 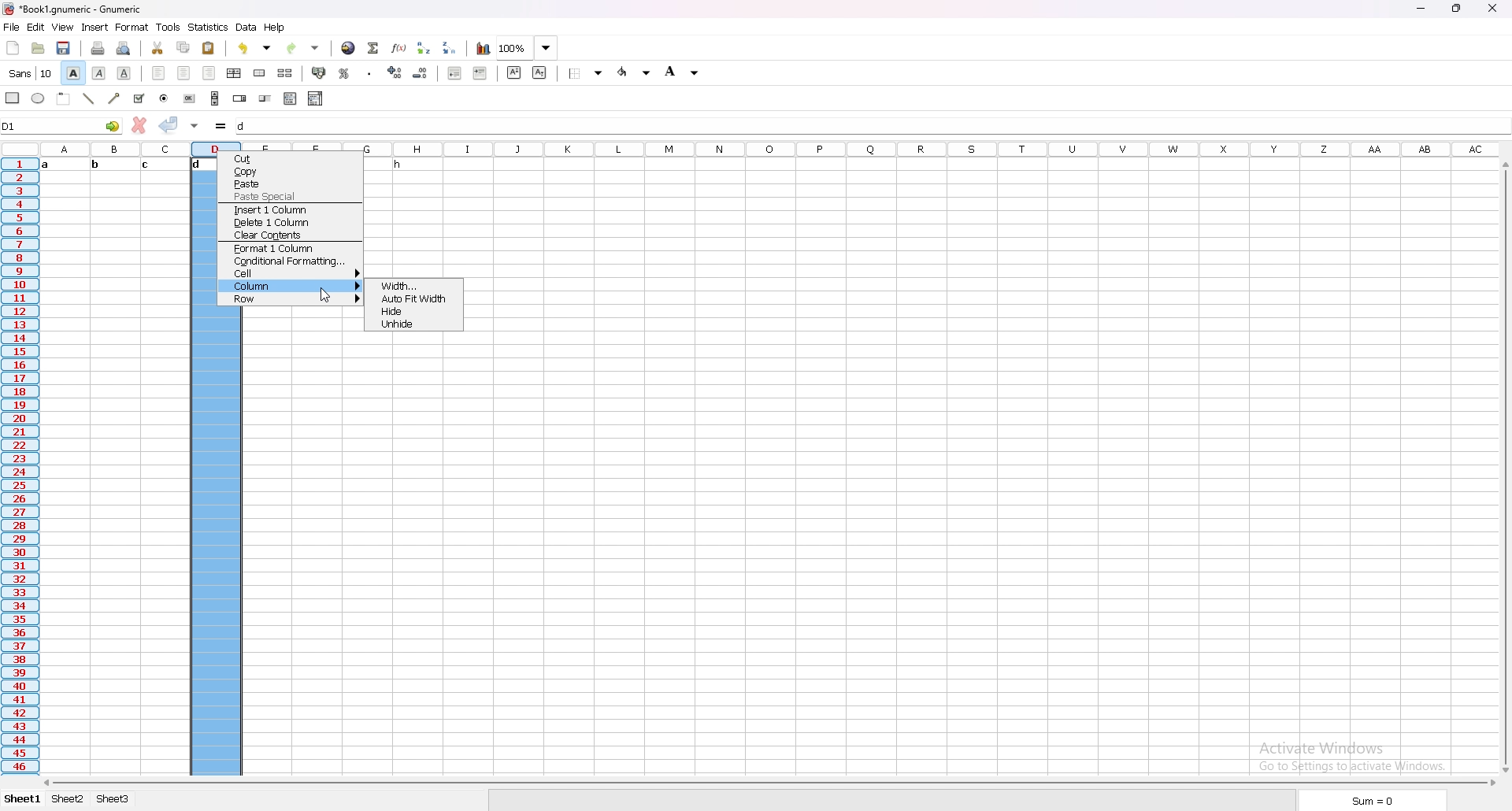 What do you see at coordinates (1504, 468) in the screenshot?
I see `scroll bar` at bounding box center [1504, 468].